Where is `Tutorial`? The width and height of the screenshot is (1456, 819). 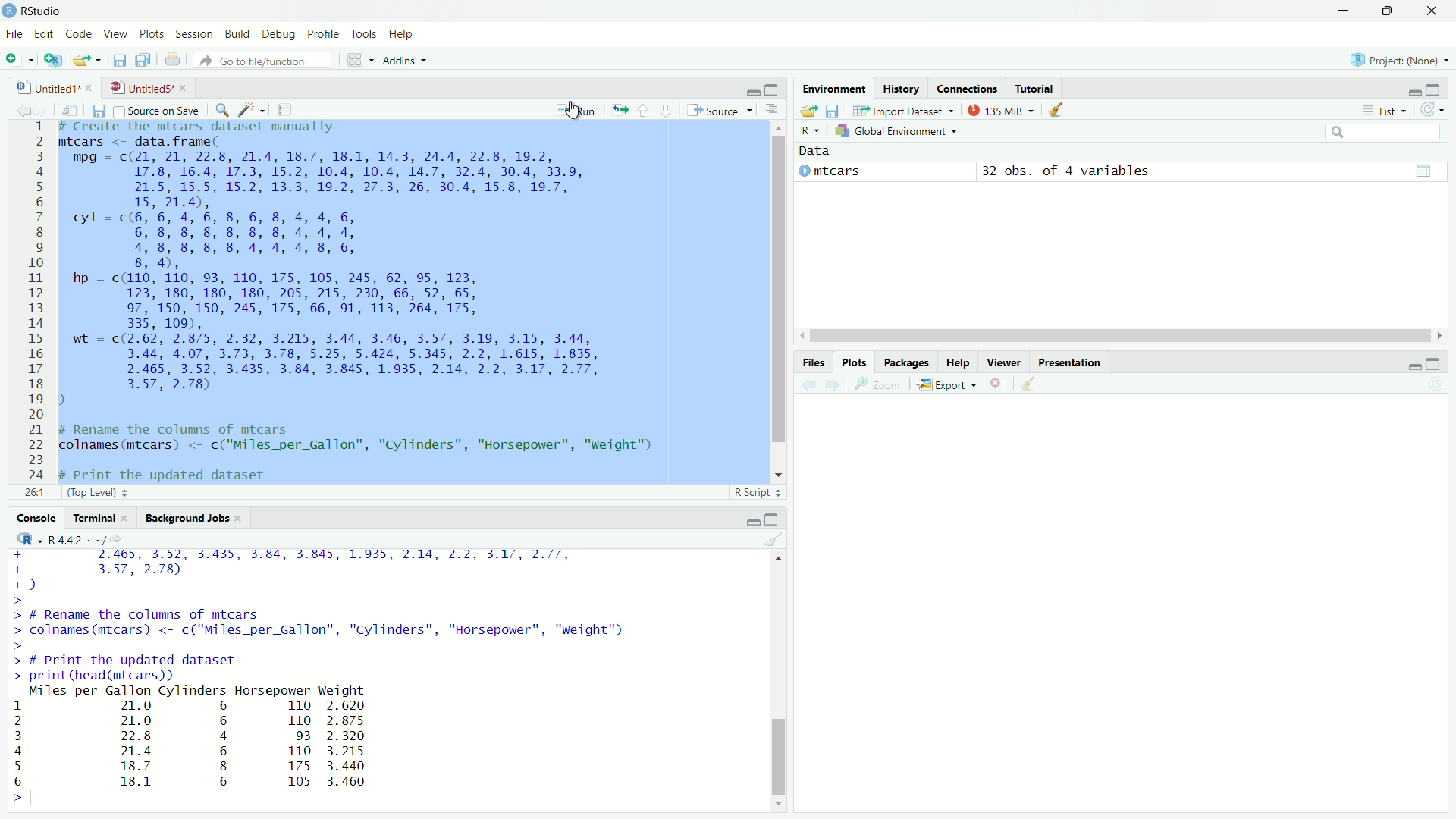 Tutorial is located at coordinates (1036, 89).